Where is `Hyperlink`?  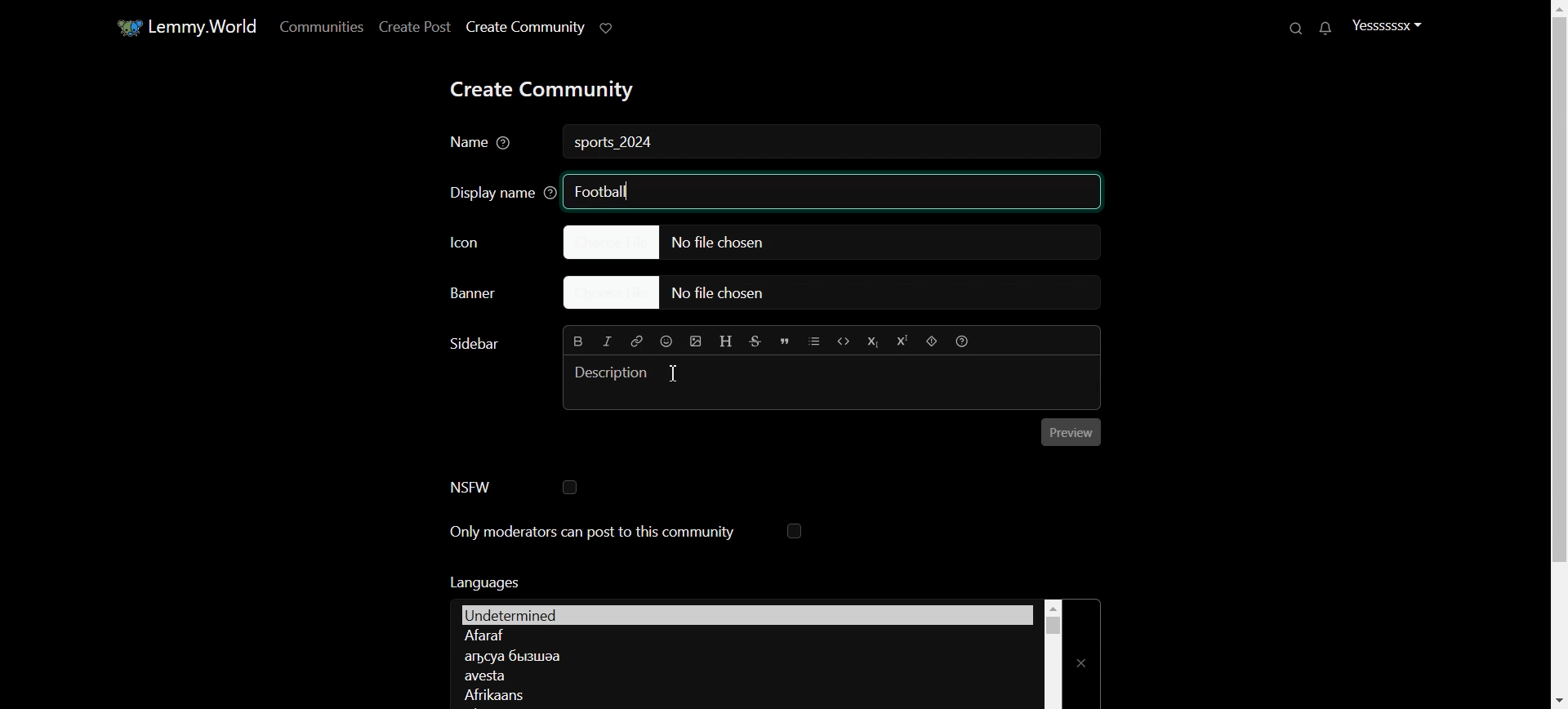
Hyperlink is located at coordinates (635, 341).